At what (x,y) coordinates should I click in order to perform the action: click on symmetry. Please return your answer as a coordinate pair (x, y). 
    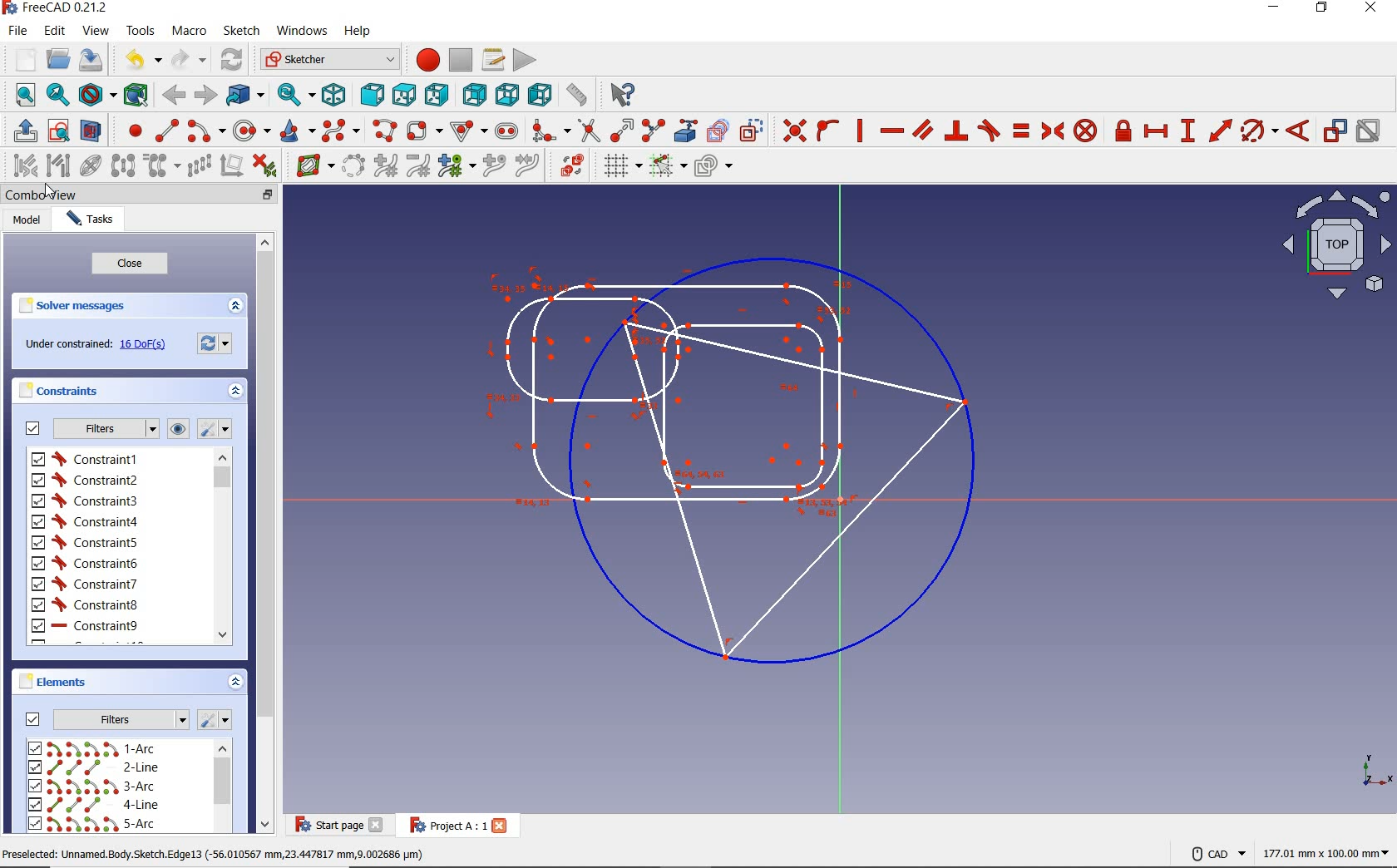
    Looking at the image, I should click on (121, 167).